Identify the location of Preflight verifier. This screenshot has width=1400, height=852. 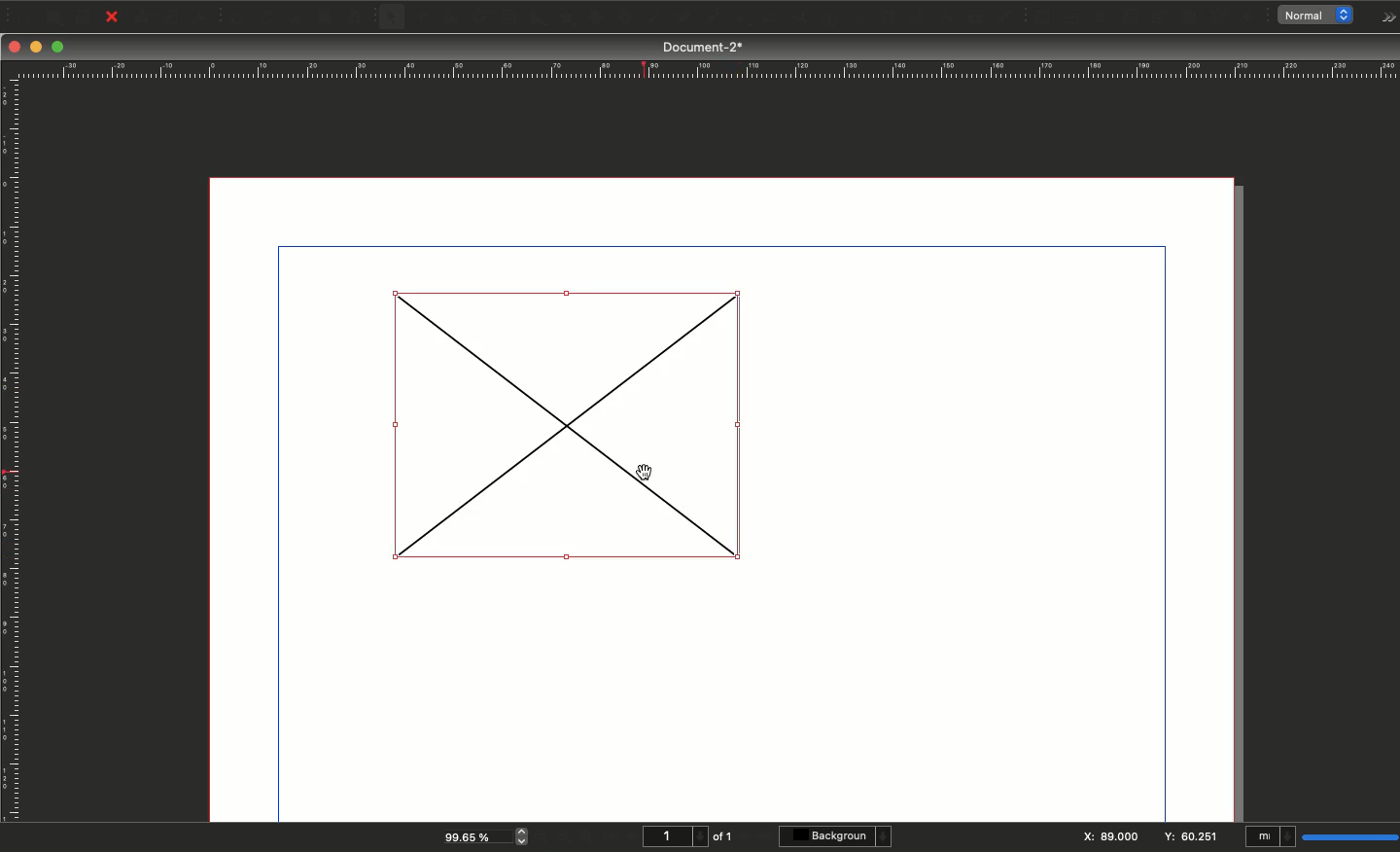
(172, 20).